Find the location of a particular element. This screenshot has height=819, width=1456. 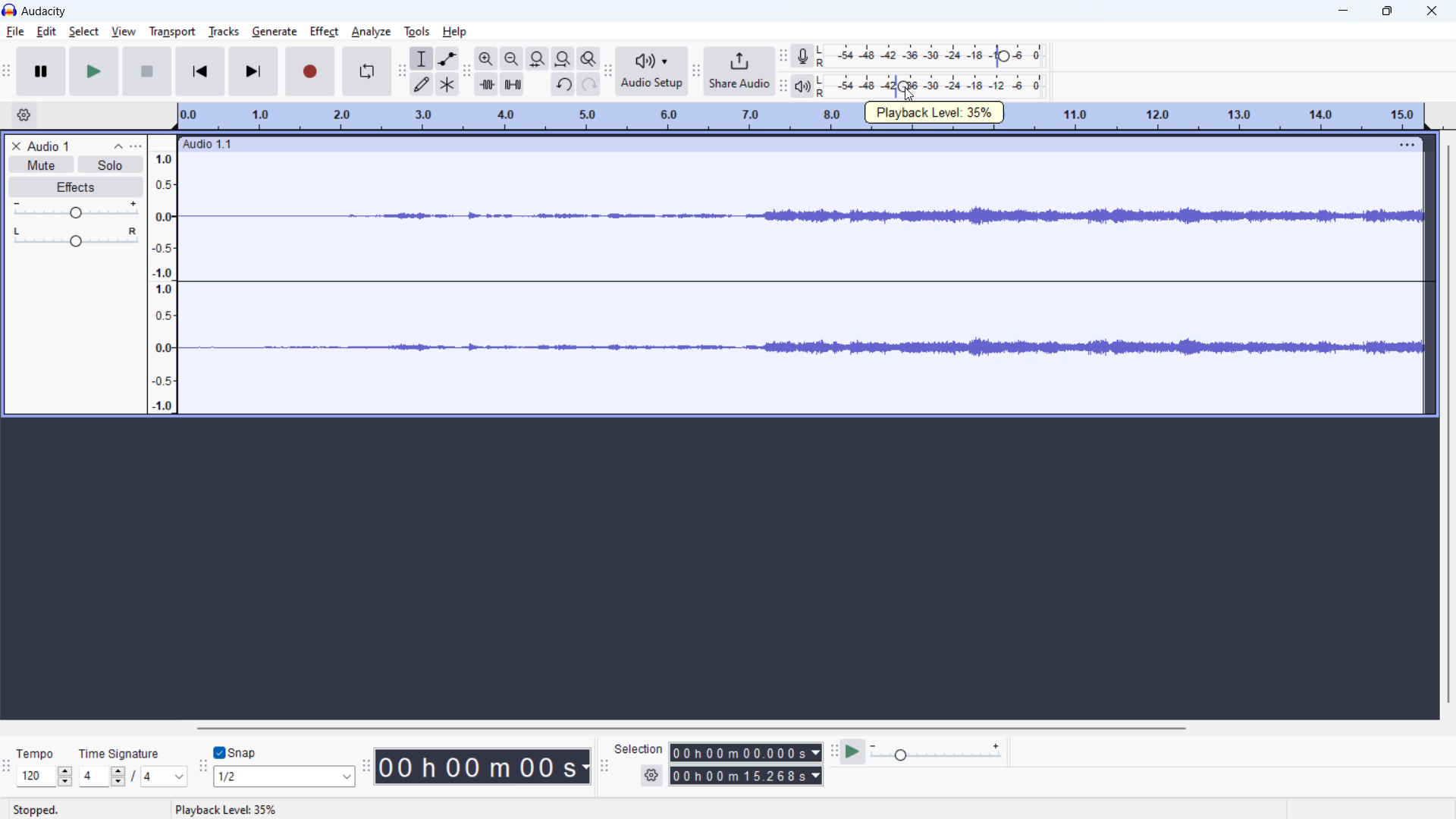

solo is located at coordinates (111, 165).